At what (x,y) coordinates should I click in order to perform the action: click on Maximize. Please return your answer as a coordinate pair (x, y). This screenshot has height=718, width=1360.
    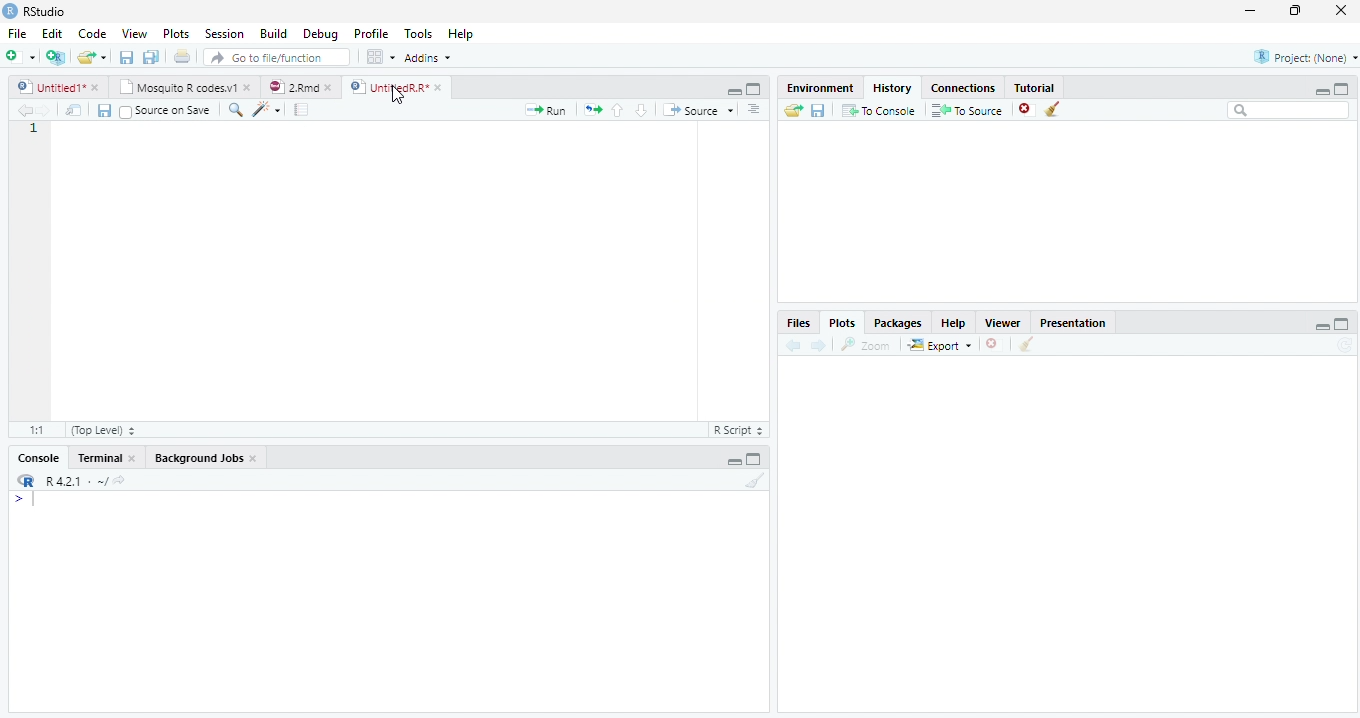
    Looking at the image, I should click on (753, 90).